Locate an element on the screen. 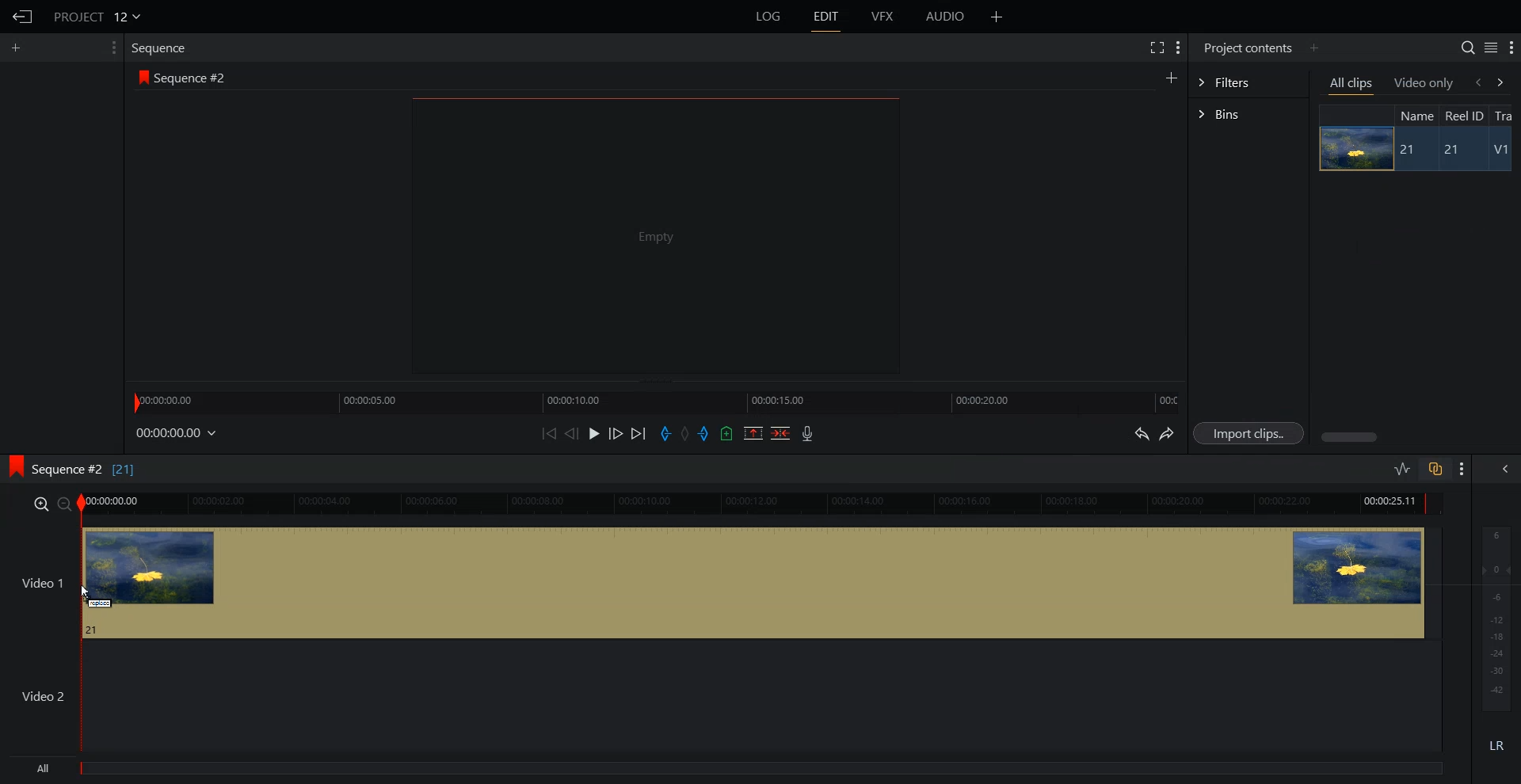  Delete is located at coordinates (780, 432).